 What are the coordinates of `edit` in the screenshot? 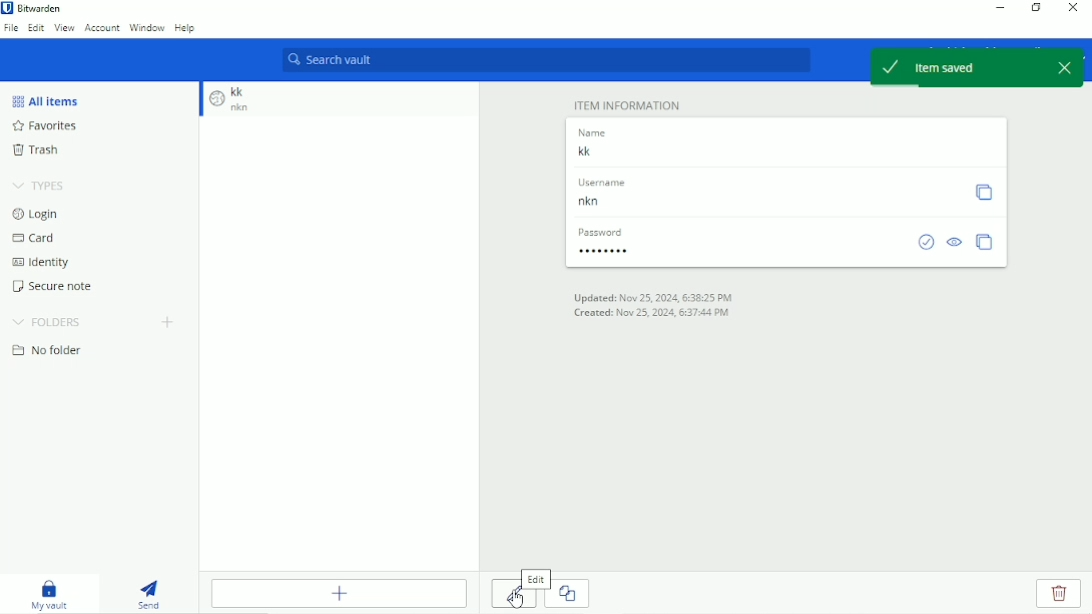 It's located at (516, 600).